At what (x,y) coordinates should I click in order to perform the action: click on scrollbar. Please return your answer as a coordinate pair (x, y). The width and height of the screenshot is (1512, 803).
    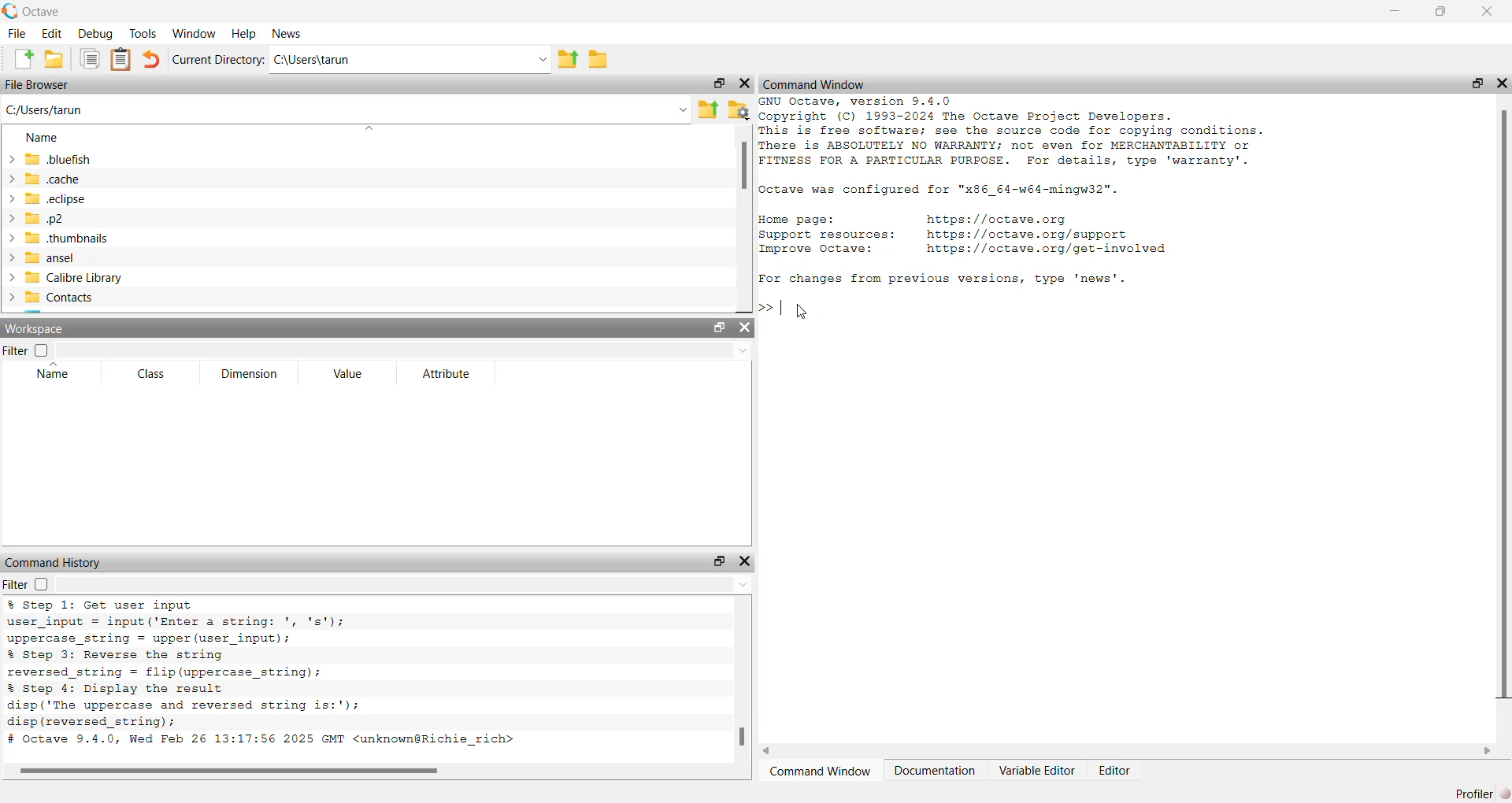
    Looking at the image, I should click on (226, 772).